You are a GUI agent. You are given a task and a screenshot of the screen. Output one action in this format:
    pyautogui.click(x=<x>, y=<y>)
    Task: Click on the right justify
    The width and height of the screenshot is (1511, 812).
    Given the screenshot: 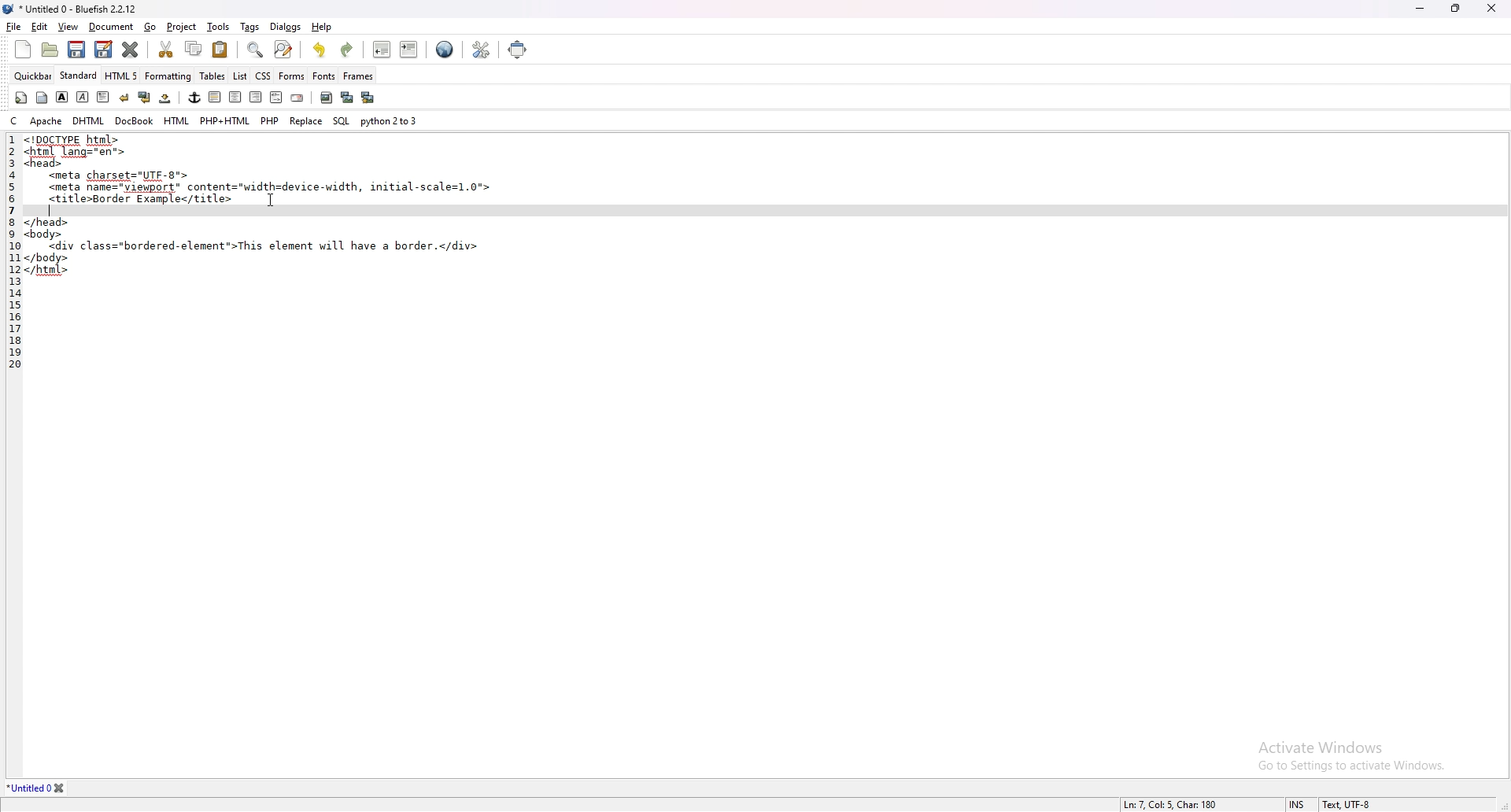 What is the action you would take?
    pyautogui.click(x=256, y=96)
    